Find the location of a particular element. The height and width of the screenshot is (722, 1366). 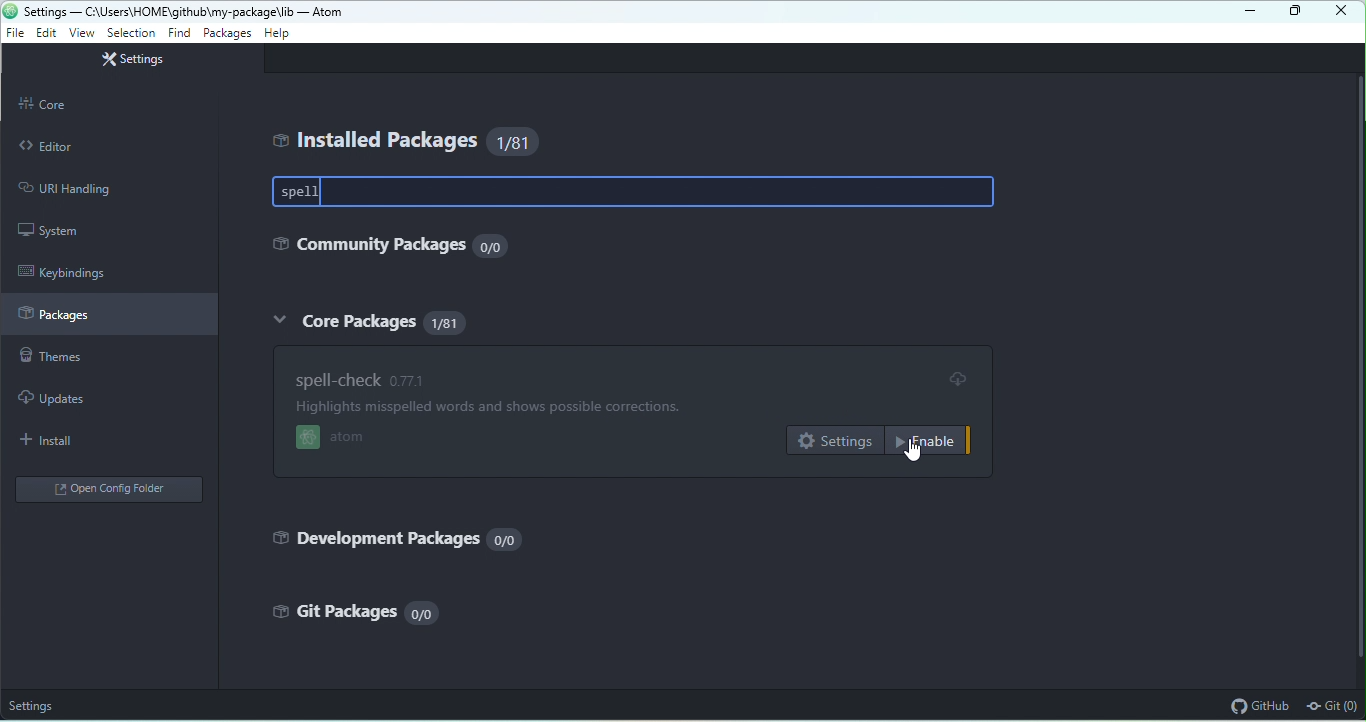

file is located at coordinates (15, 34).